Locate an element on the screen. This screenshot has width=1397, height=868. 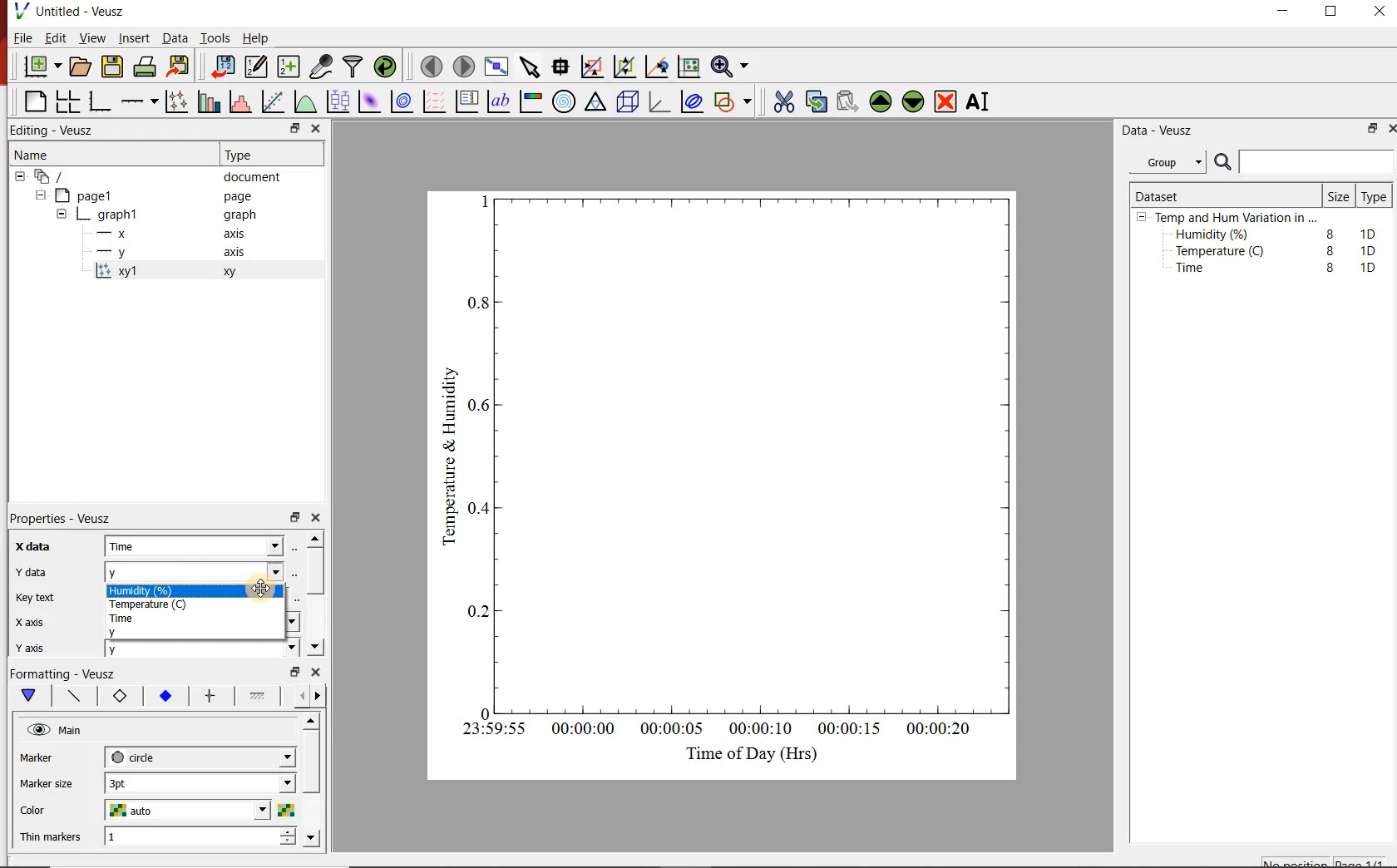
Data - Veusz is located at coordinates (1161, 131).